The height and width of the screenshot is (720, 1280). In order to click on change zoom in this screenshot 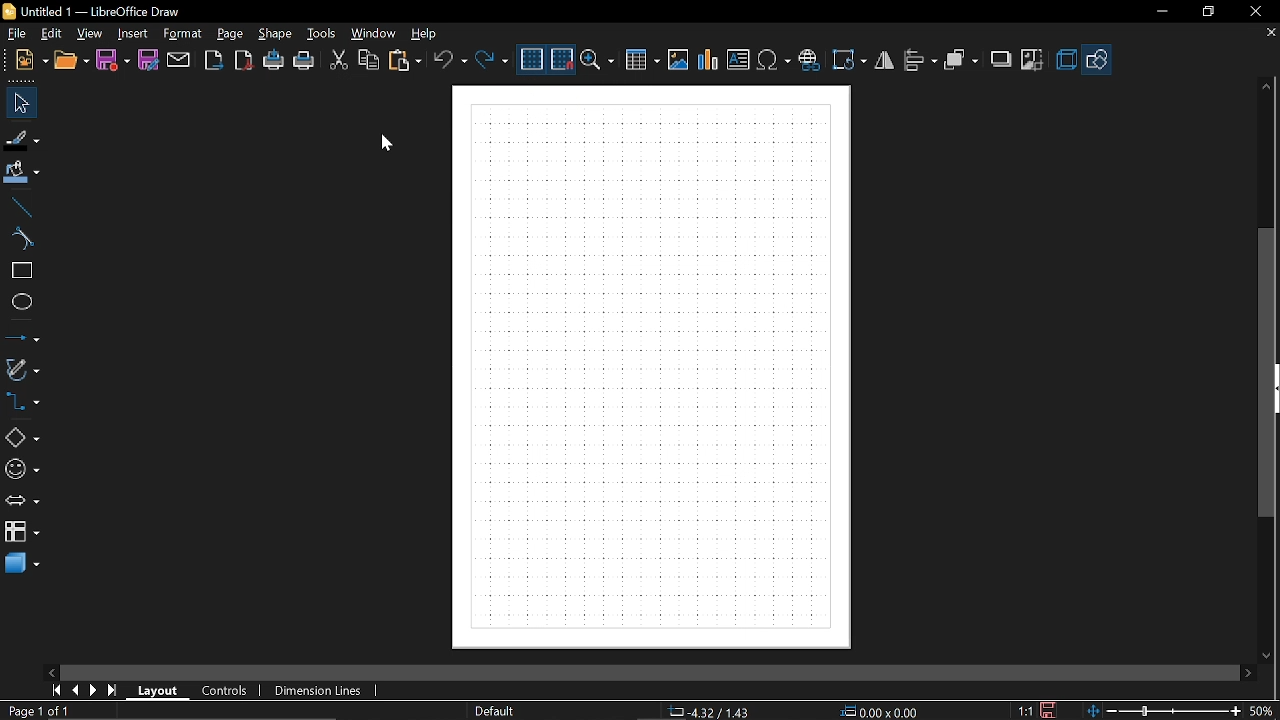, I will do `click(1161, 711)`.